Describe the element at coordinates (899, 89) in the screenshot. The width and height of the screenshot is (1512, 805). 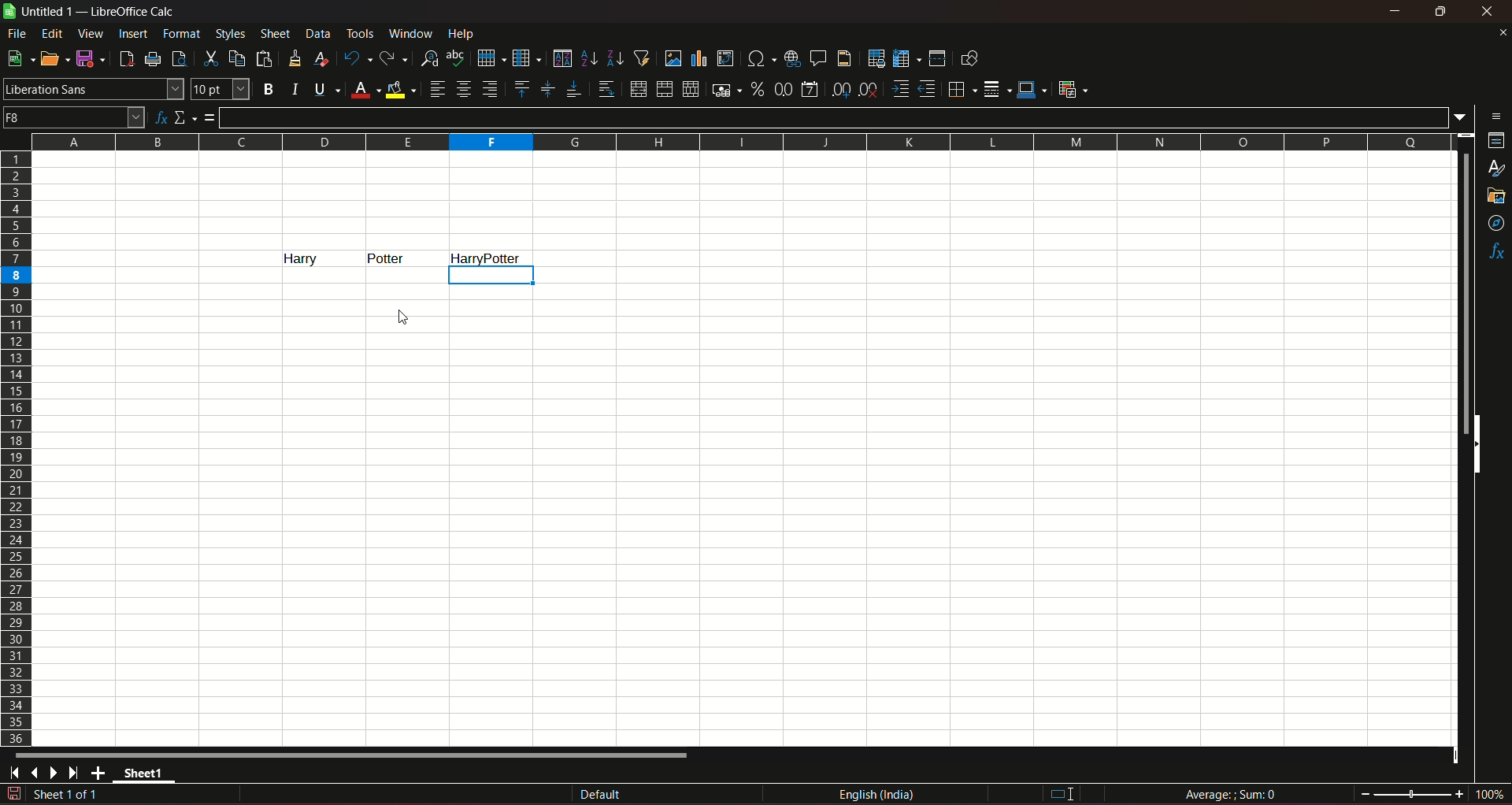
I see `increase indent` at that location.